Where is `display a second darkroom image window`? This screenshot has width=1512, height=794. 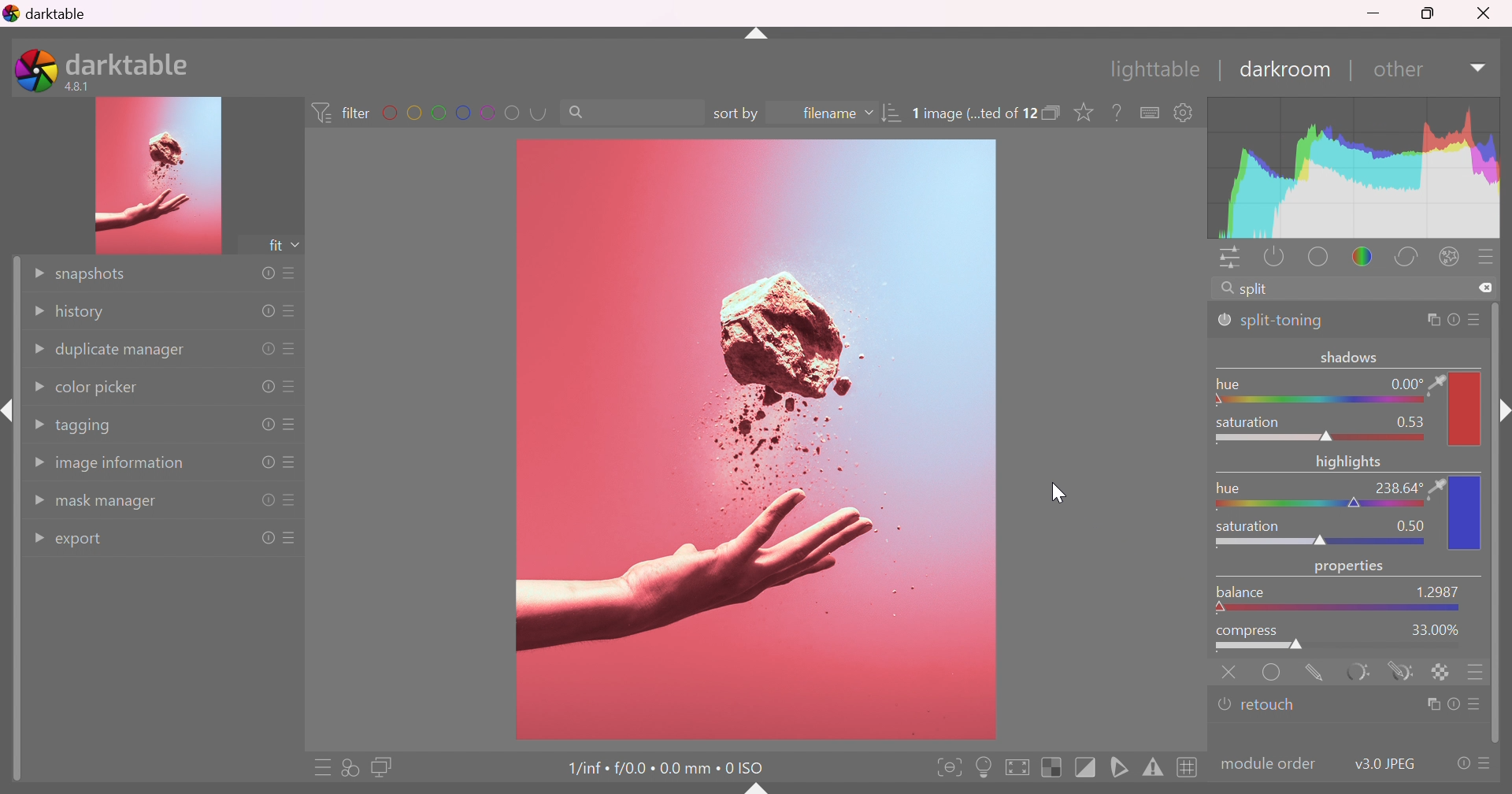
display a second darkroom image window is located at coordinates (384, 767).